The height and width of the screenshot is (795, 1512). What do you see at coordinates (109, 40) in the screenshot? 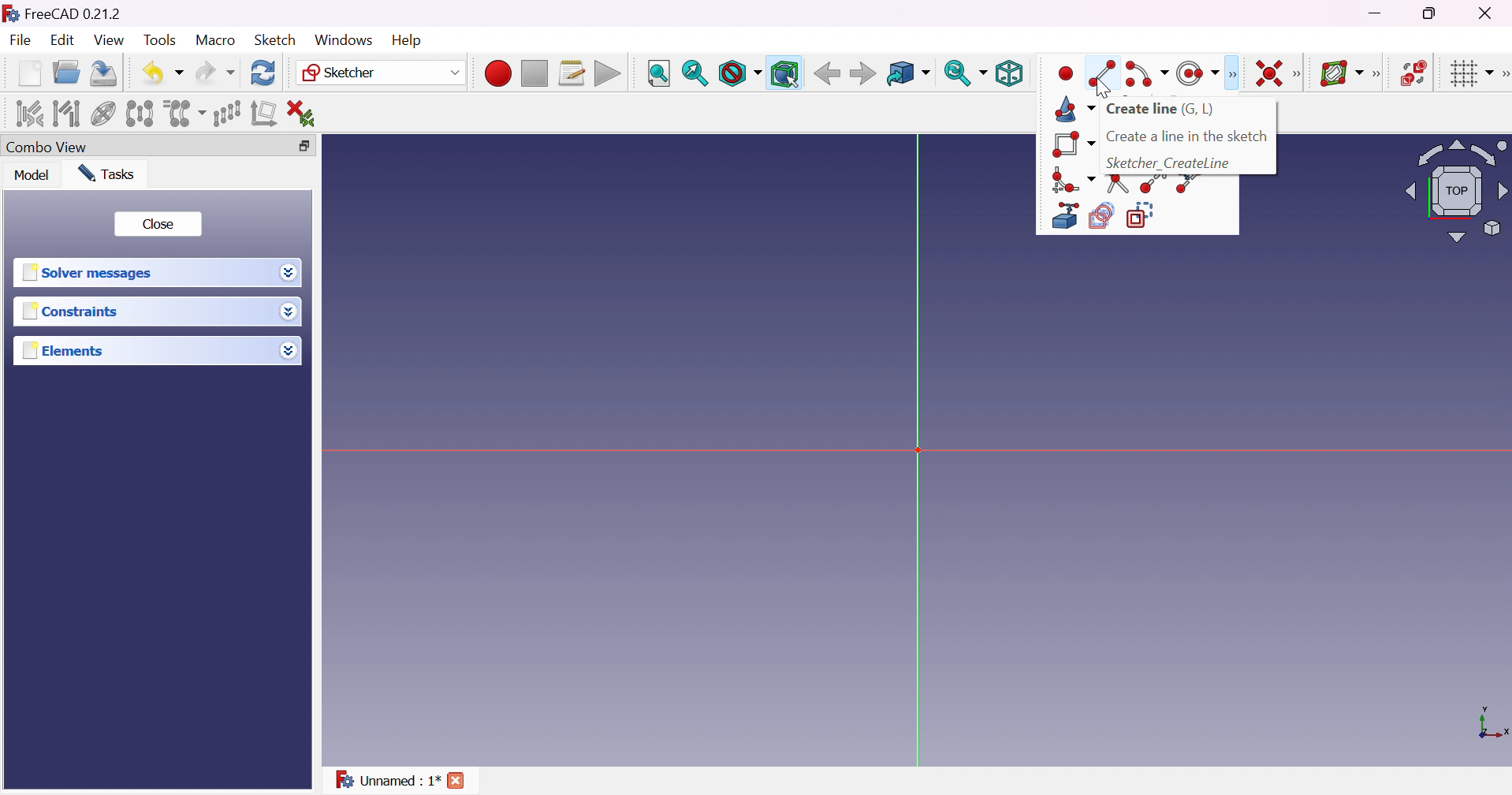
I see `View` at bounding box center [109, 40].